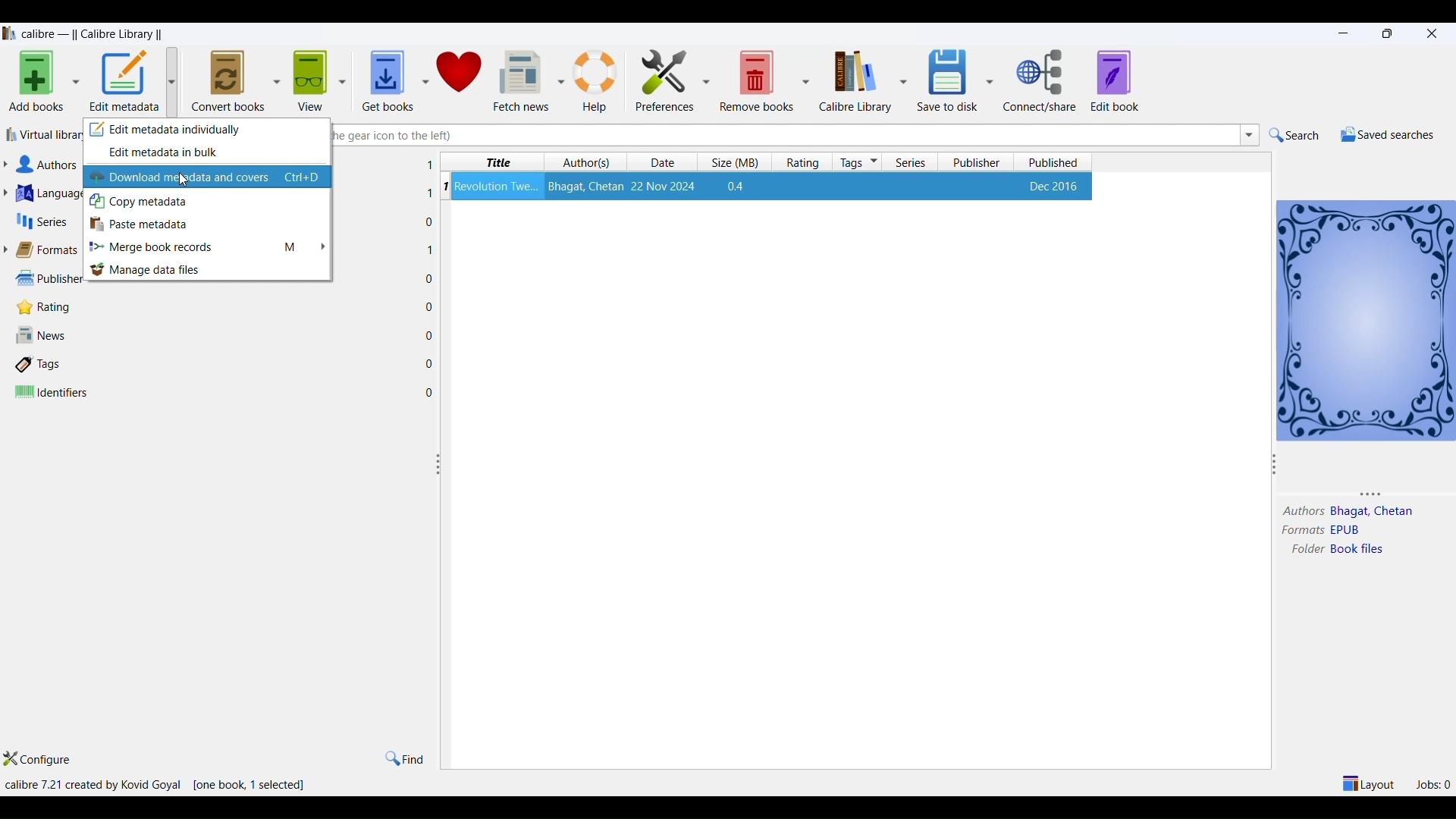  Describe the element at coordinates (1360, 495) in the screenshot. I see `resize` at that location.